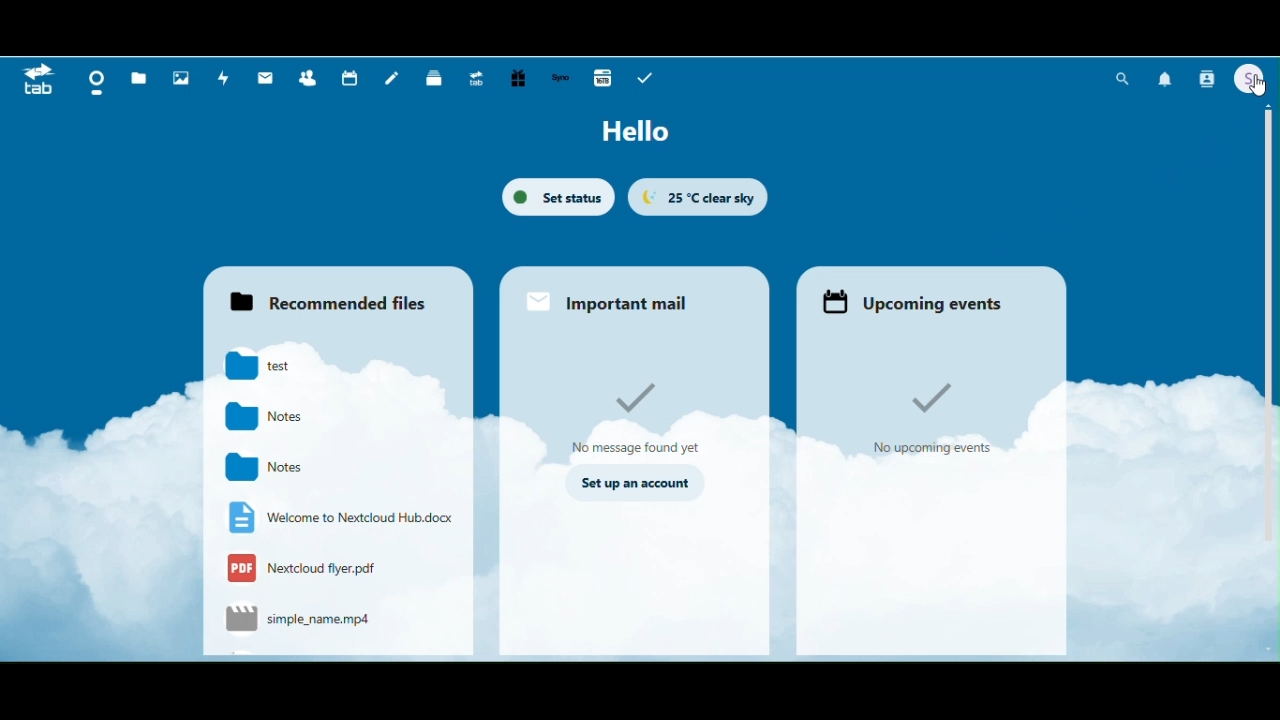 The height and width of the screenshot is (720, 1280). I want to click on Hello, so click(643, 133).